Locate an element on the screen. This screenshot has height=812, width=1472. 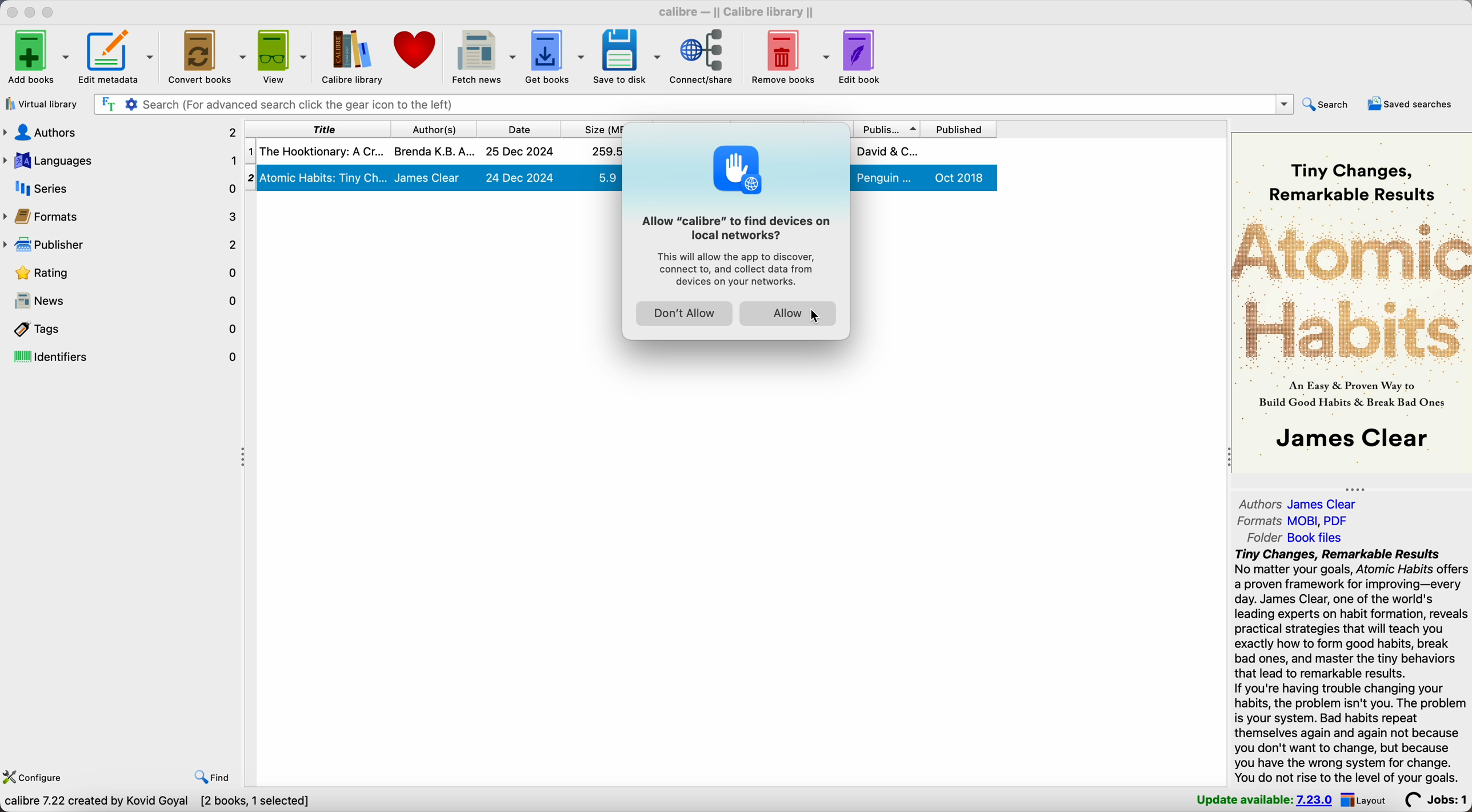
convert books is located at coordinates (208, 57).